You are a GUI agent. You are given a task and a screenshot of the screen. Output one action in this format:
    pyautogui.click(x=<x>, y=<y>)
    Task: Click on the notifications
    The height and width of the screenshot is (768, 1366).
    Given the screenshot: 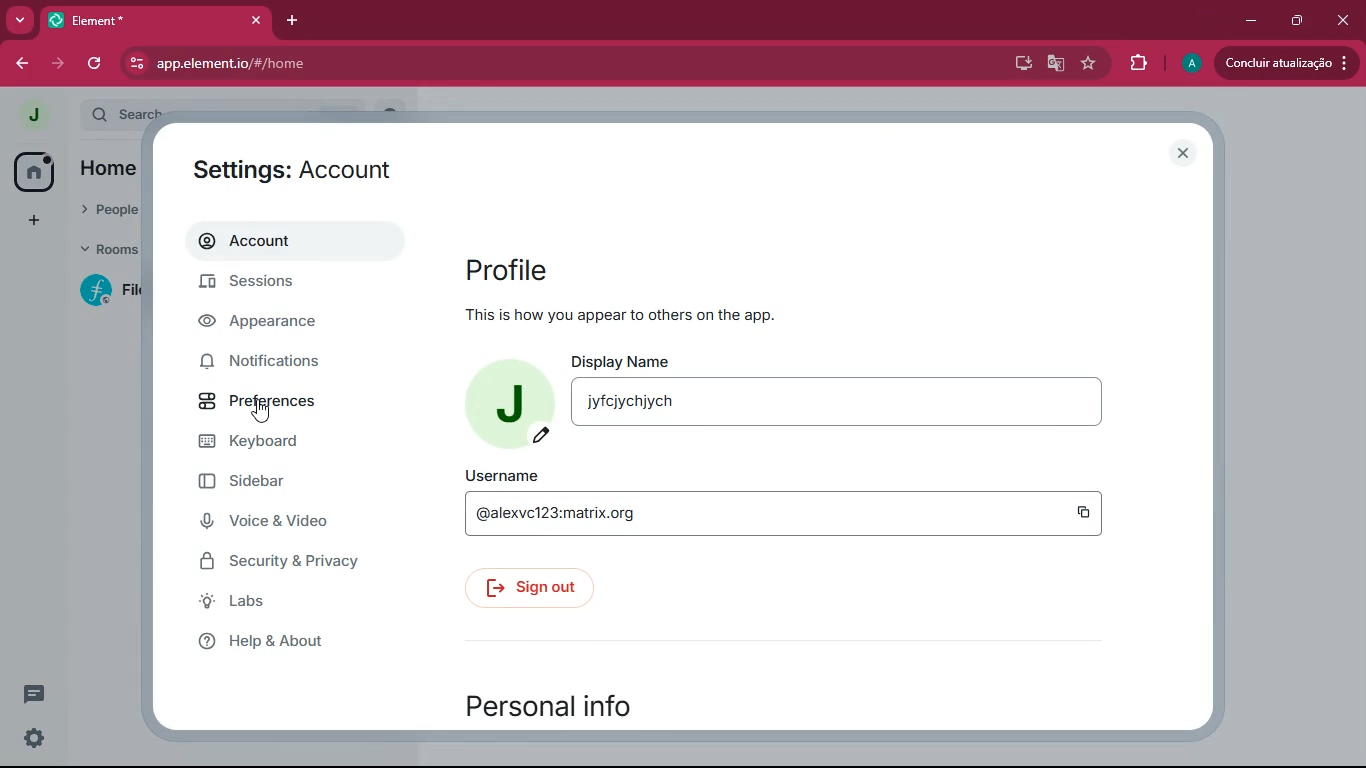 What is the action you would take?
    pyautogui.click(x=275, y=365)
    